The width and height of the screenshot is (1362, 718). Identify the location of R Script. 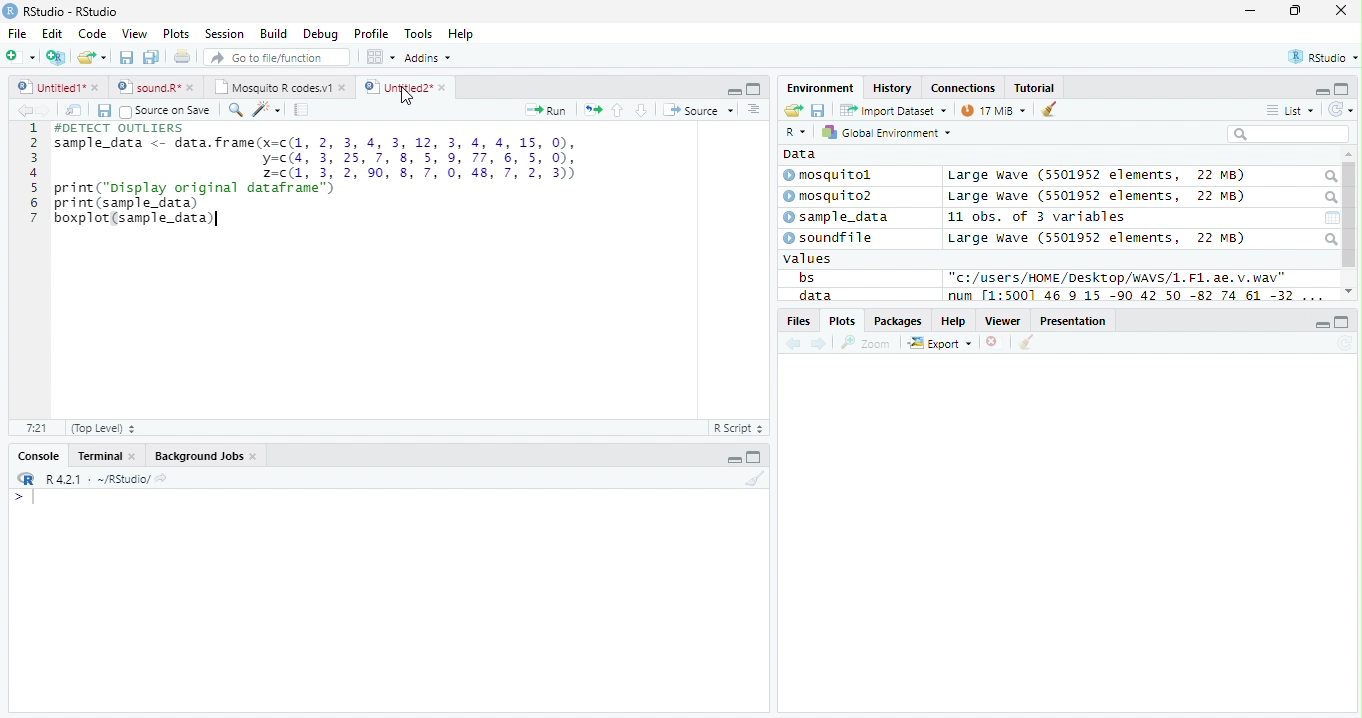
(739, 427).